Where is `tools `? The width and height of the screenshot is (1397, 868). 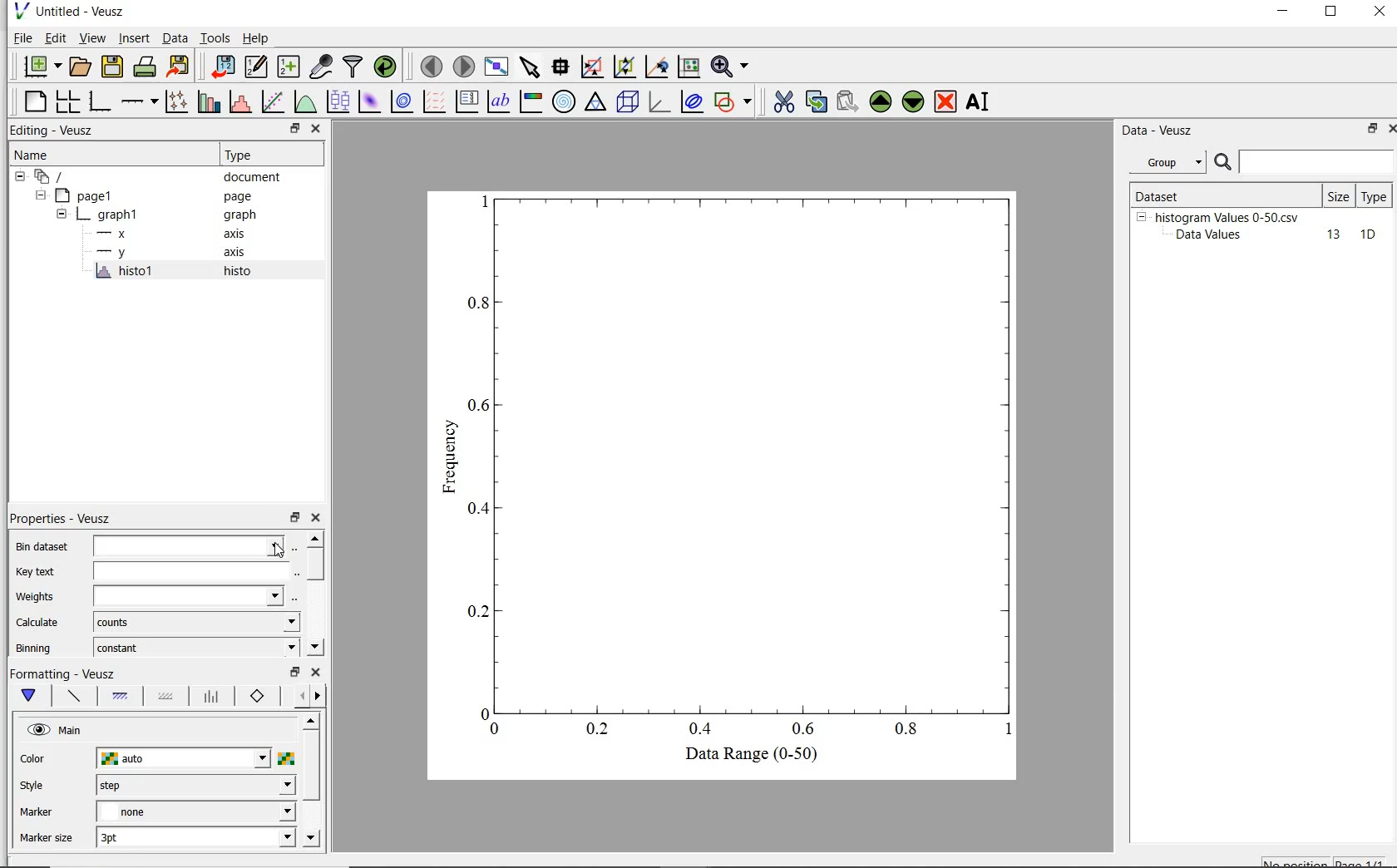 tools  is located at coordinates (216, 37).